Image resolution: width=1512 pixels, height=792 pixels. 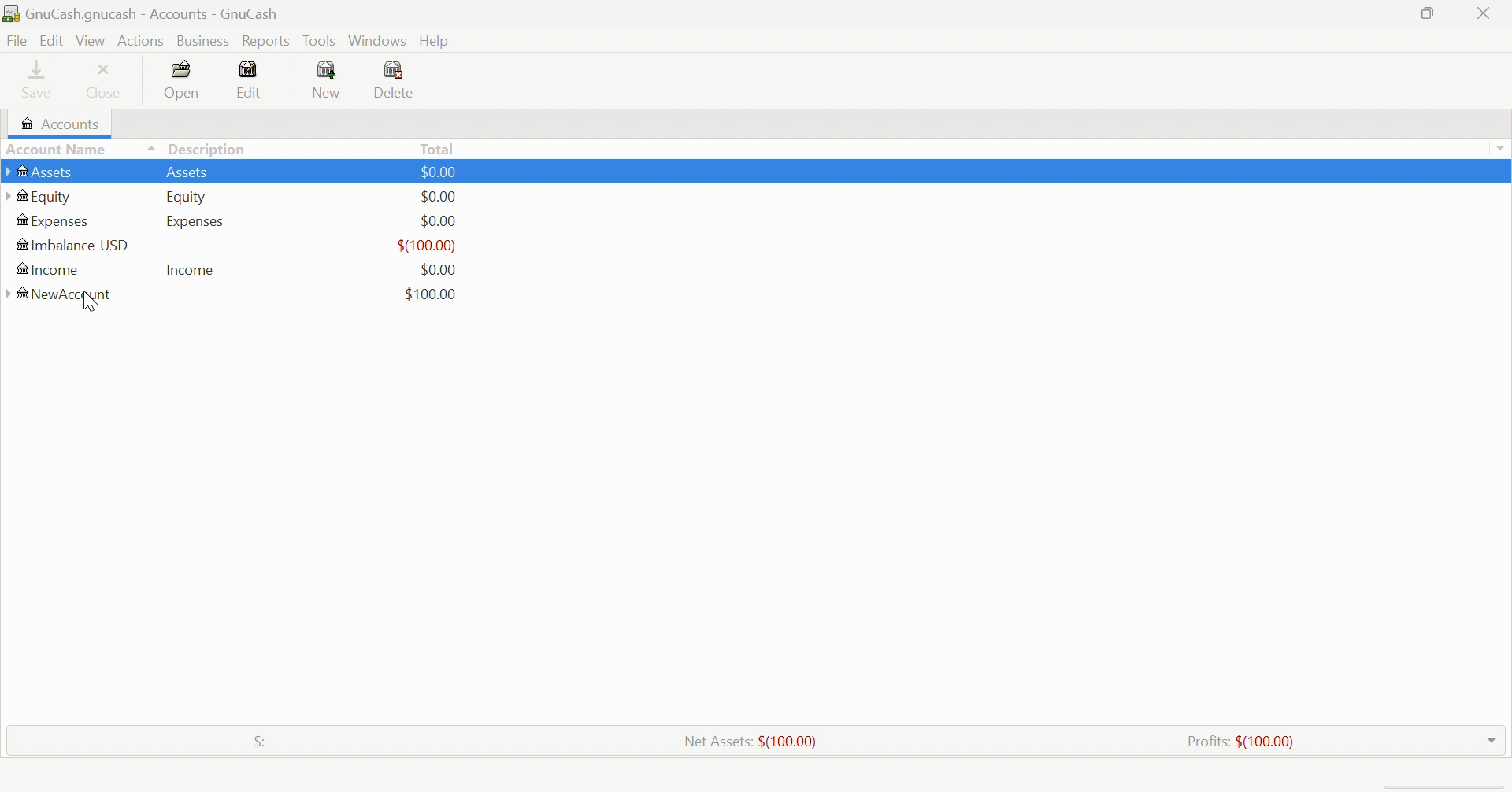 What do you see at coordinates (321, 42) in the screenshot?
I see `Tools` at bounding box center [321, 42].